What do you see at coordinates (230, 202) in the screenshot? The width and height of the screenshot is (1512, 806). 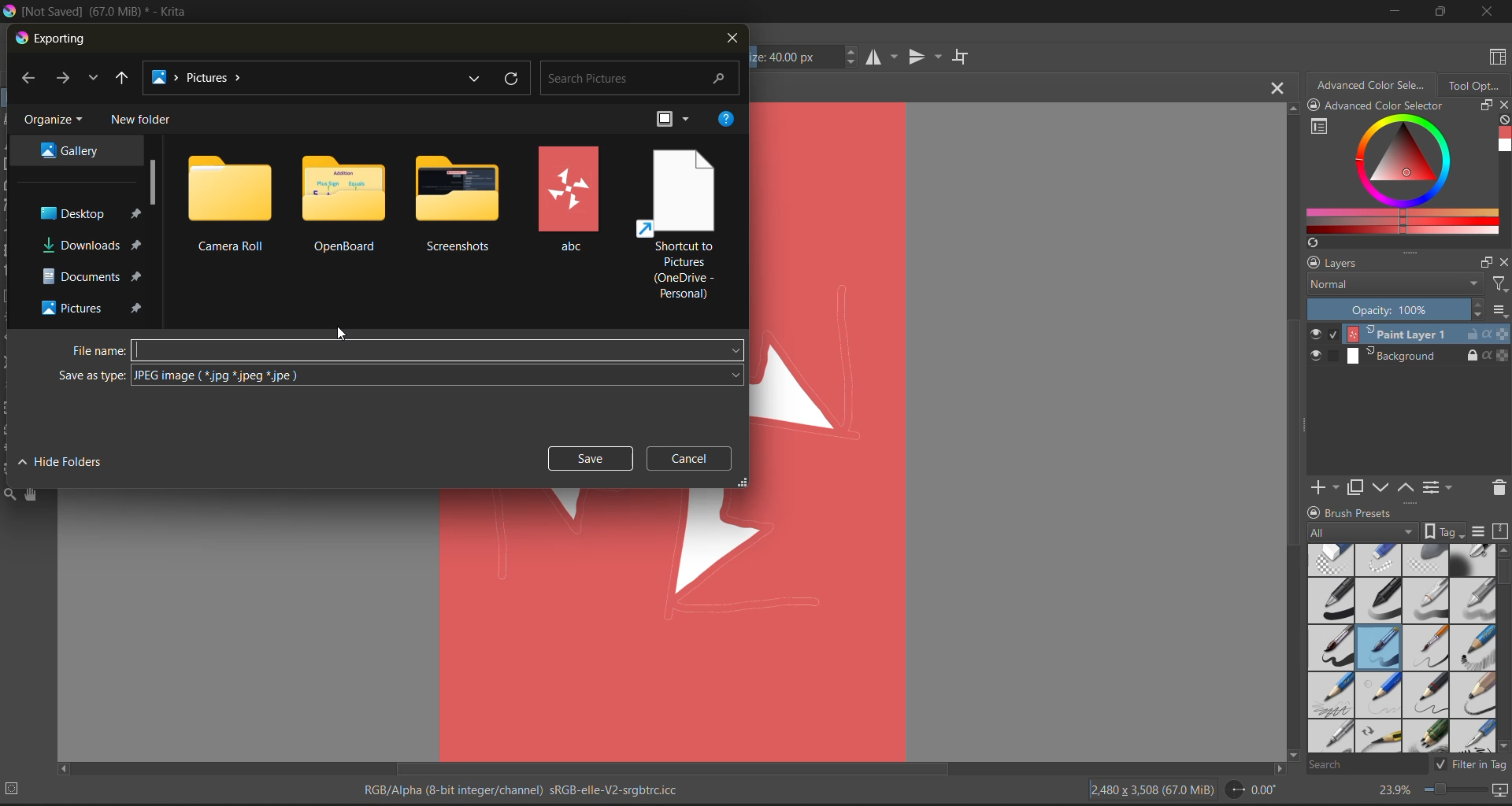 I see `folders and files` at bounding box center [230, 202].